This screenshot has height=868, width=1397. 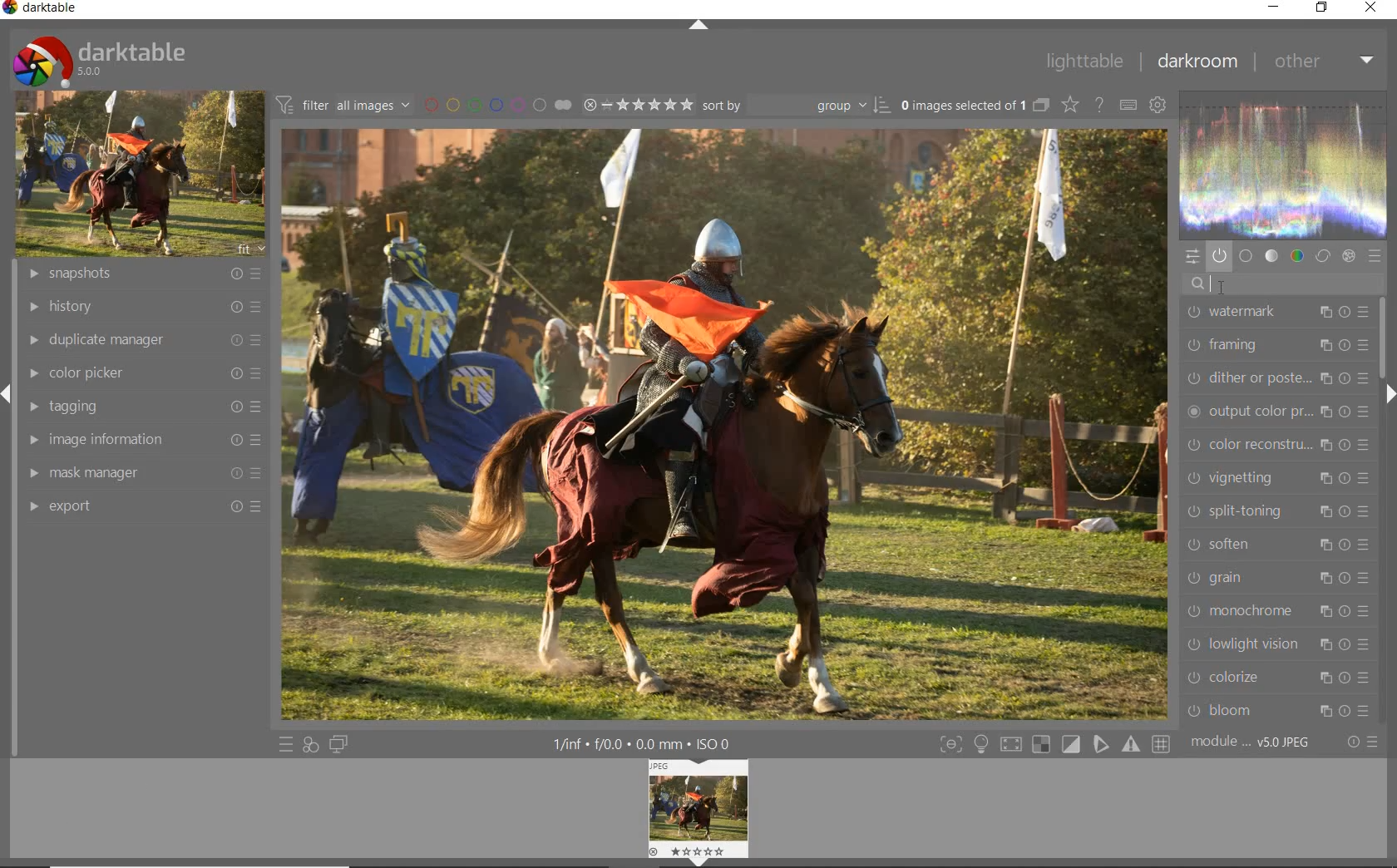 What do you see at coordinates (1347, 256) in the screenshot?
I see `effect` at bounding box center [1347, 256].